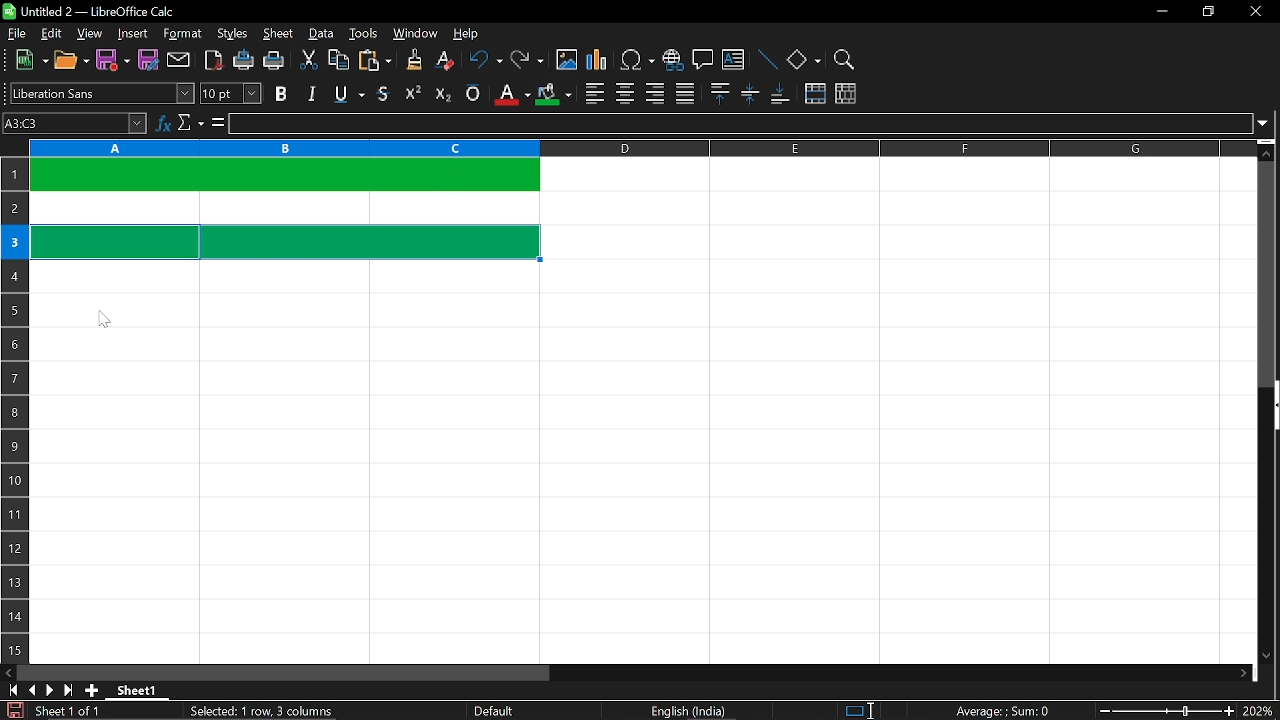 This screenshot has height=720, width=1280. Describe the element at coordinates (702, 60) in the screenshot. I see `insert comment` at that location.